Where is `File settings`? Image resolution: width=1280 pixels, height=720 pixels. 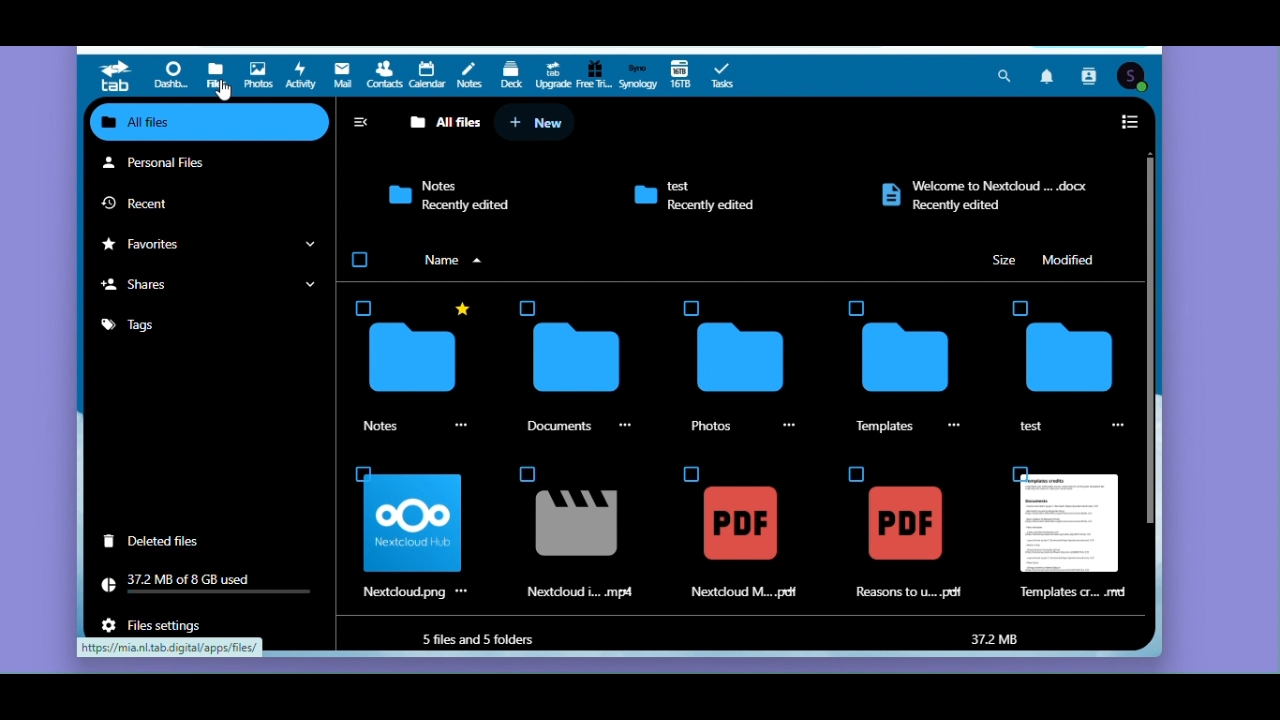 File settings is located at coordinates (163, 623).